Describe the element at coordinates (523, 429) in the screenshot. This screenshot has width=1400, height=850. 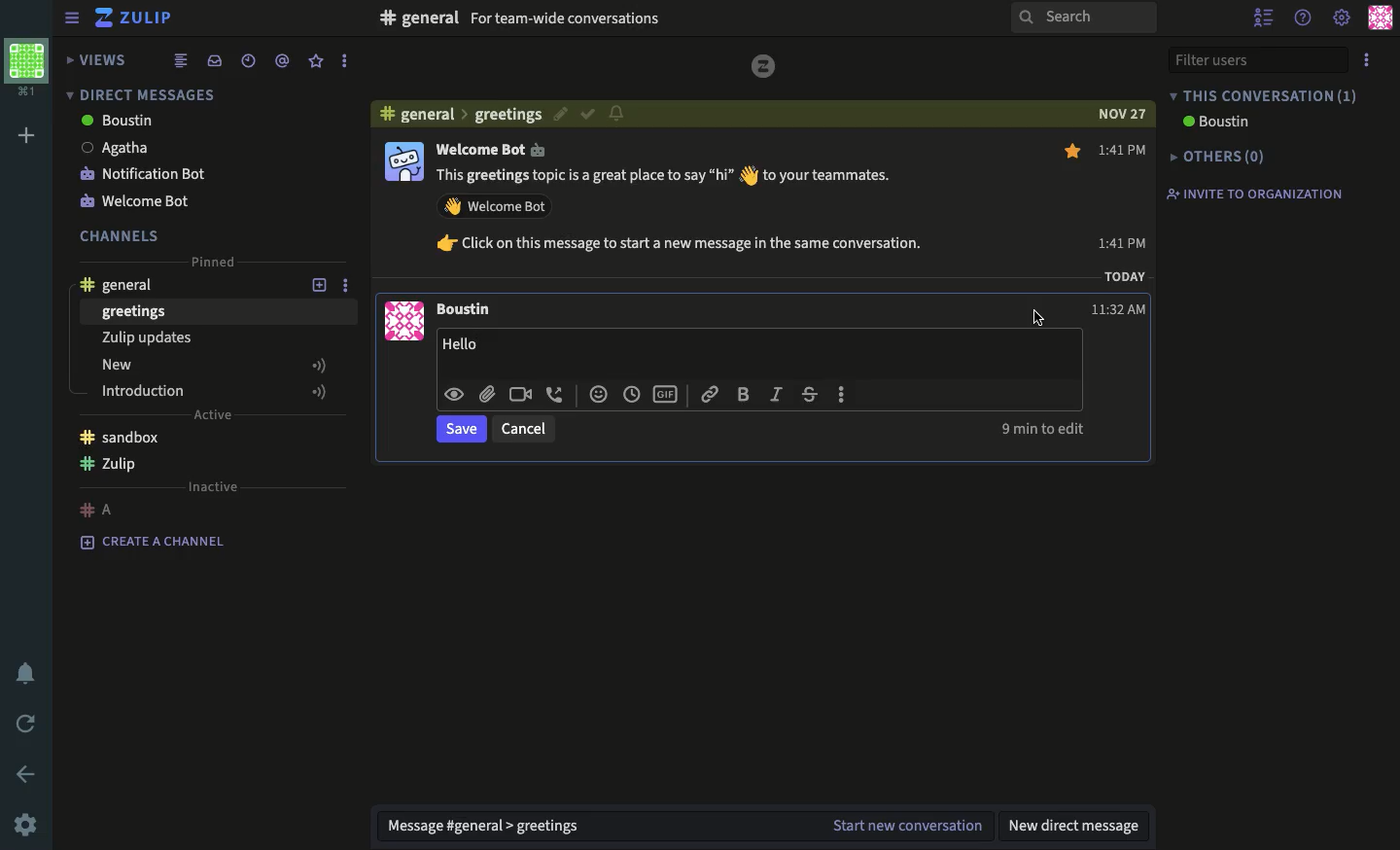
I see `cancel` at that location.